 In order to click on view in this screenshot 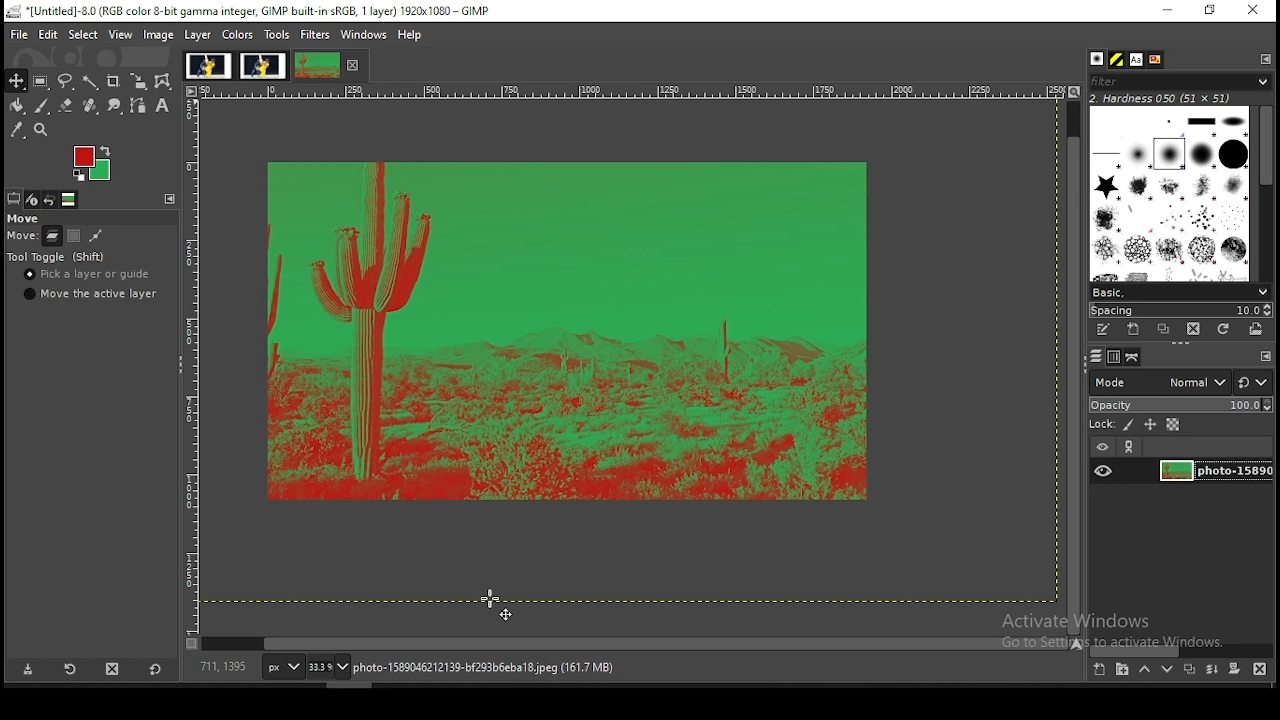, I will do `click(122, 35)`.